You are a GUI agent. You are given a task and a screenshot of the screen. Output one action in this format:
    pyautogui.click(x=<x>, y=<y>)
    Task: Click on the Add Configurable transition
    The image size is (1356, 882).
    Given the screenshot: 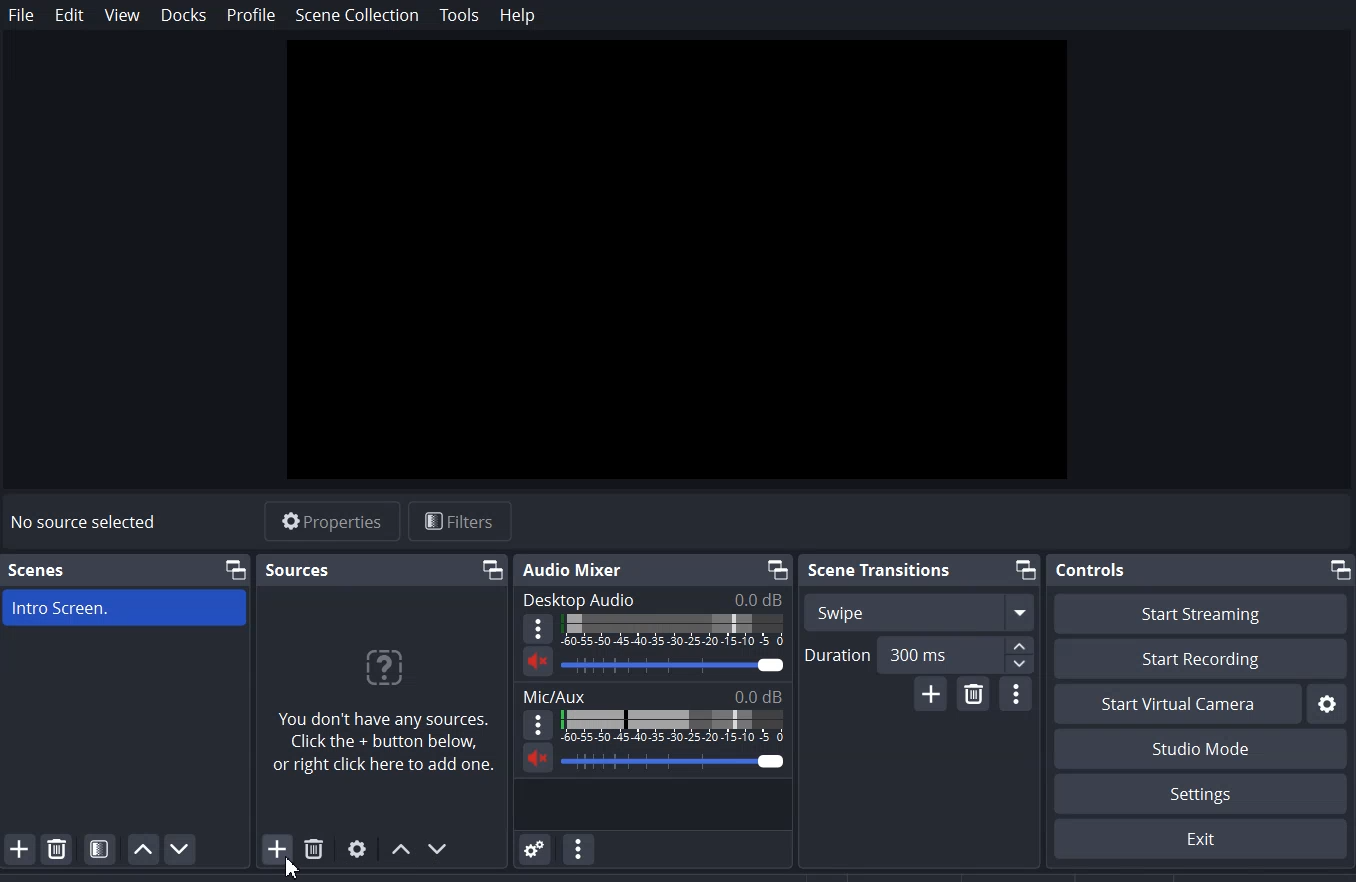 What is the action you would take?
    pyautogui.click(x=931, y=694)
    